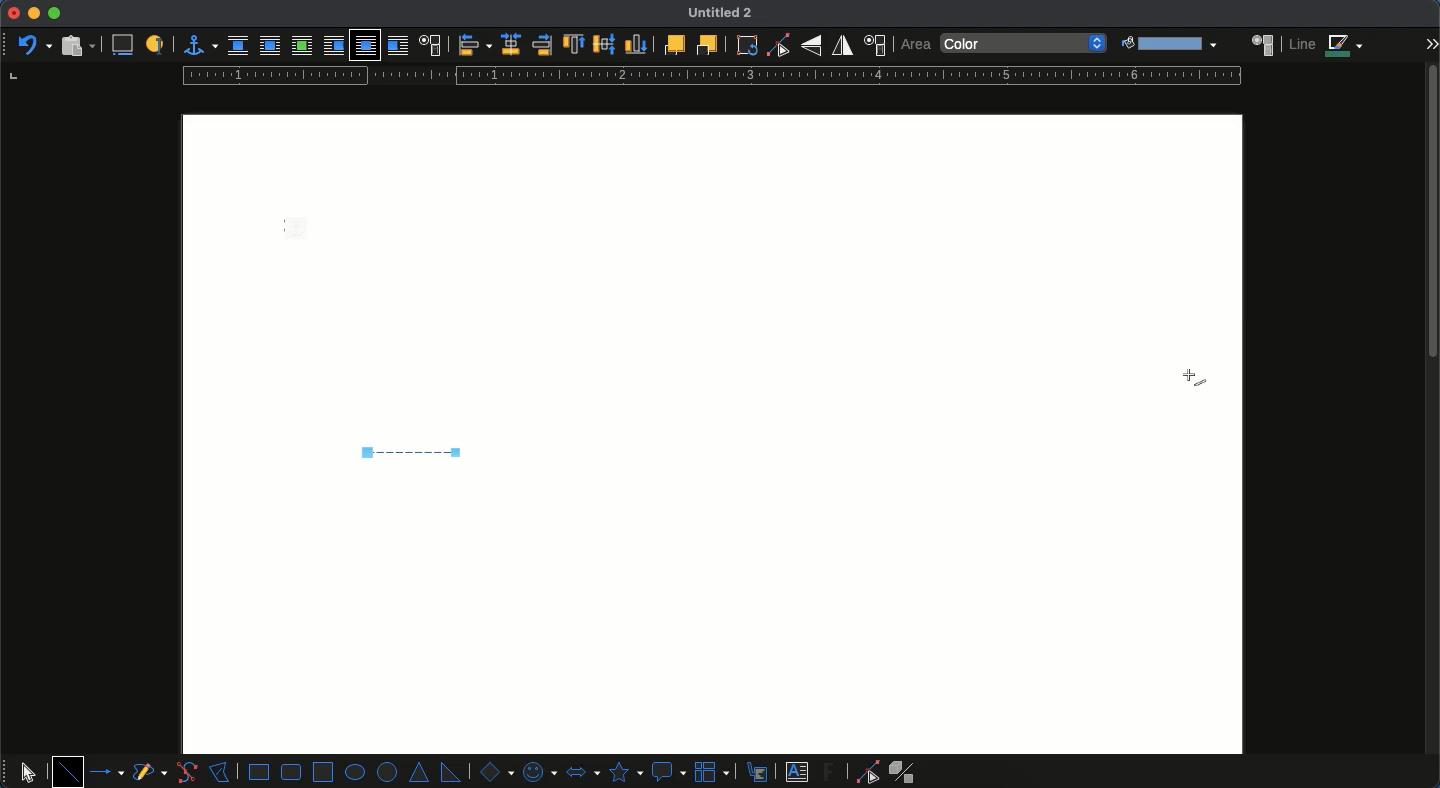 The height and width of the screenshot is (788, 1440). I want to click on block arrows, so click(582, 770).